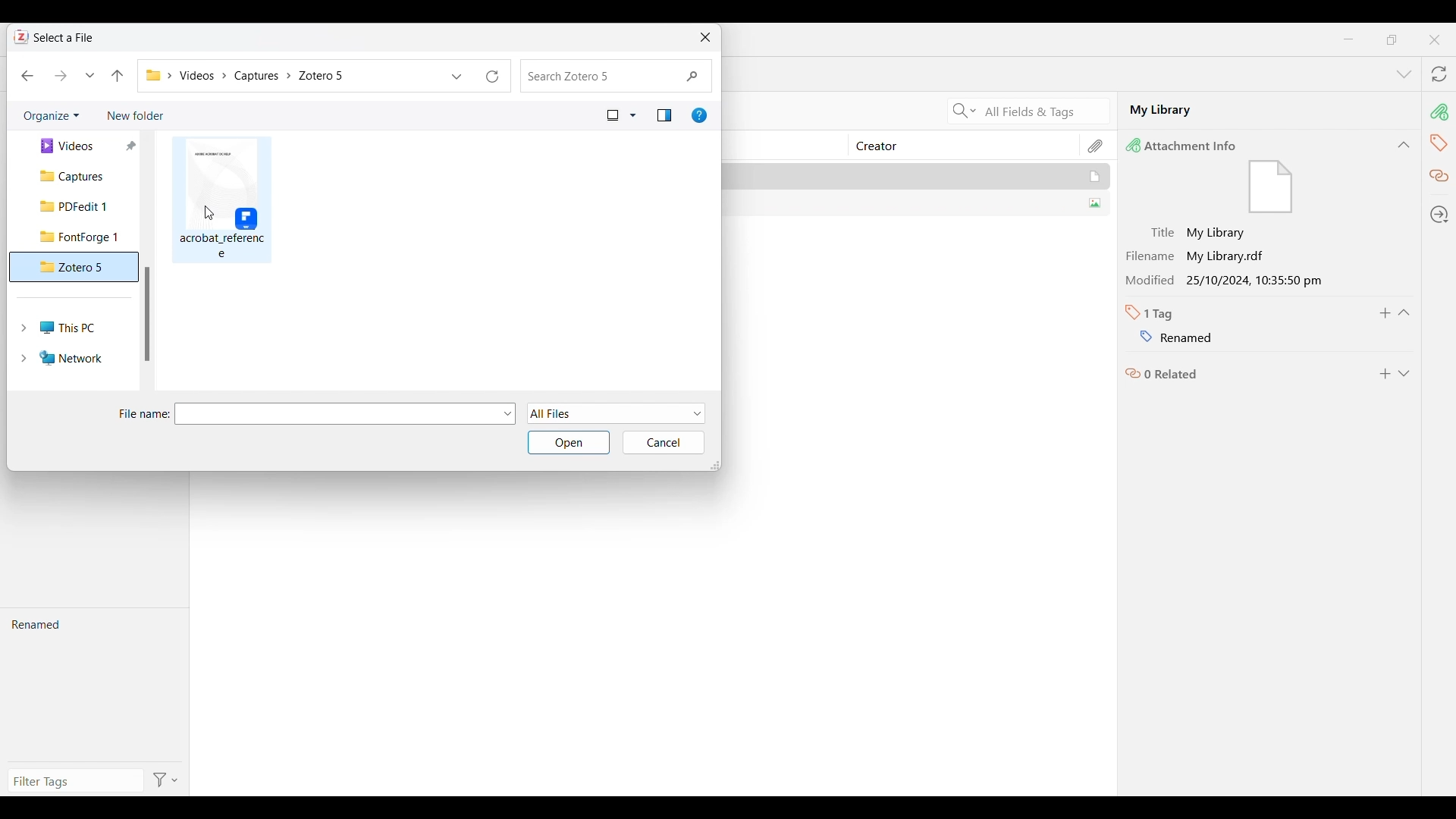  I want to click on Select a File, so click(64, 37).